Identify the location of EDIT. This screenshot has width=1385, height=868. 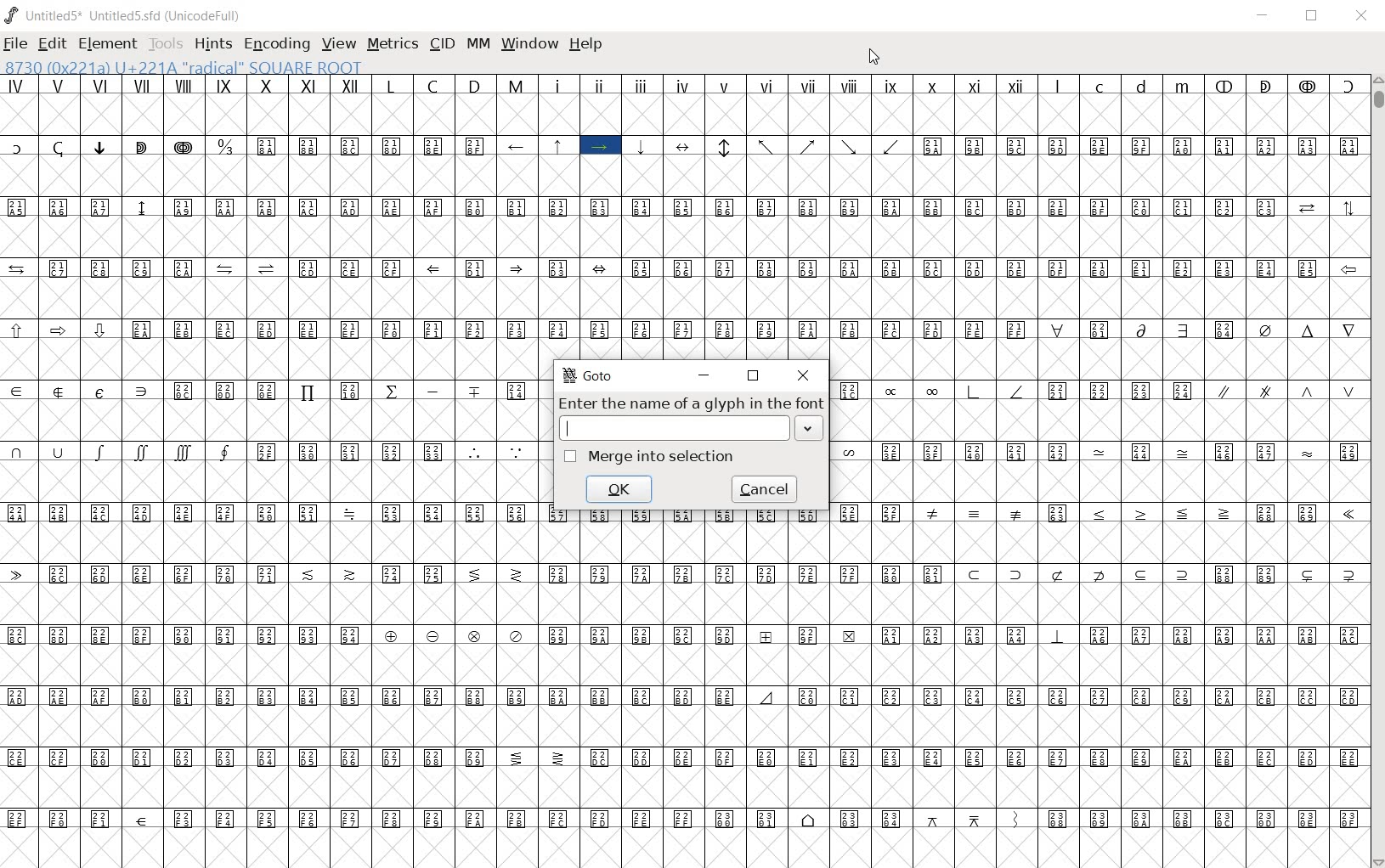
(51, 45).